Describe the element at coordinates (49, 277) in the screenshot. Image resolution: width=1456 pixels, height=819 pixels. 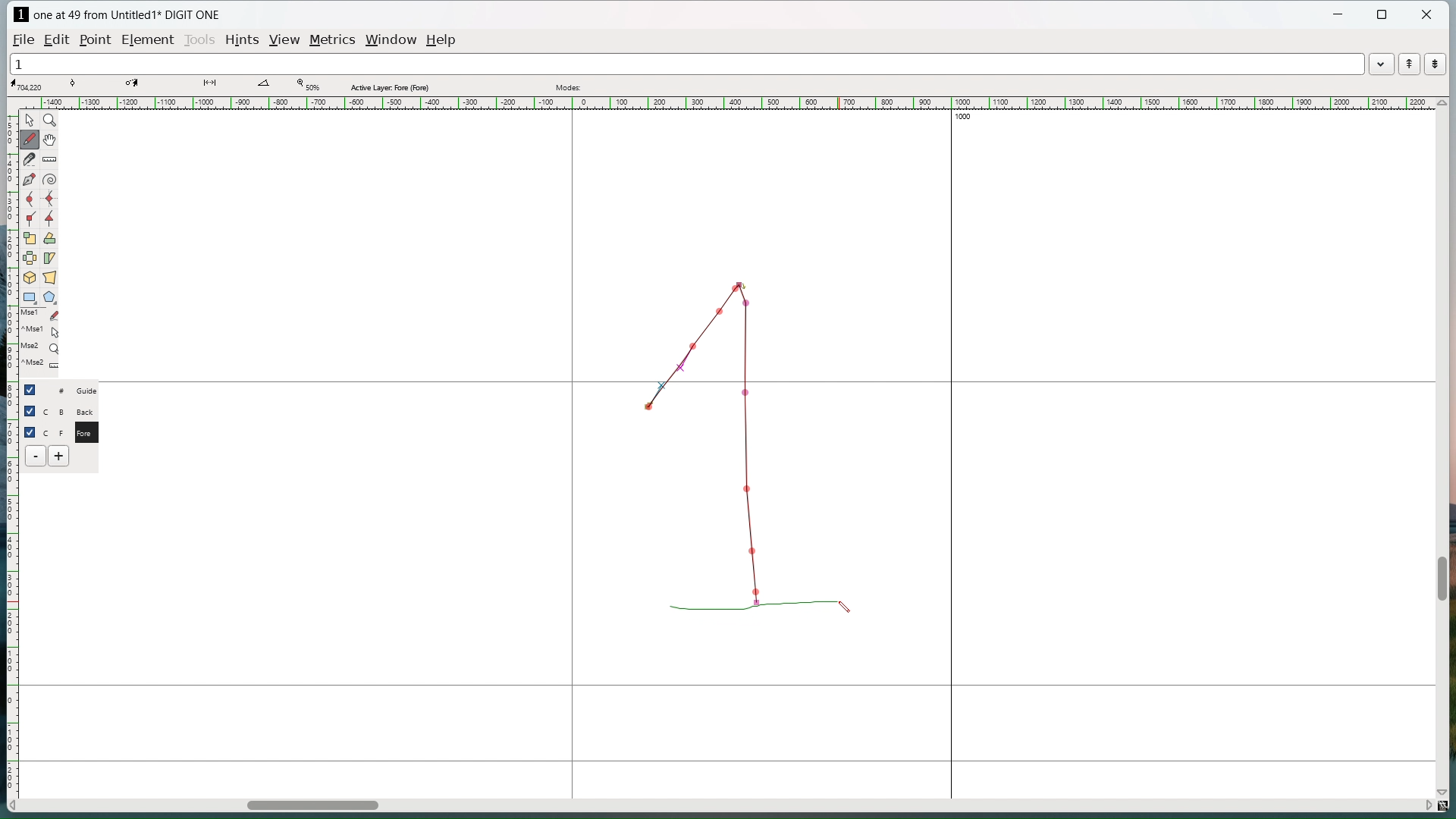
I see `perspective transformation` at that location.